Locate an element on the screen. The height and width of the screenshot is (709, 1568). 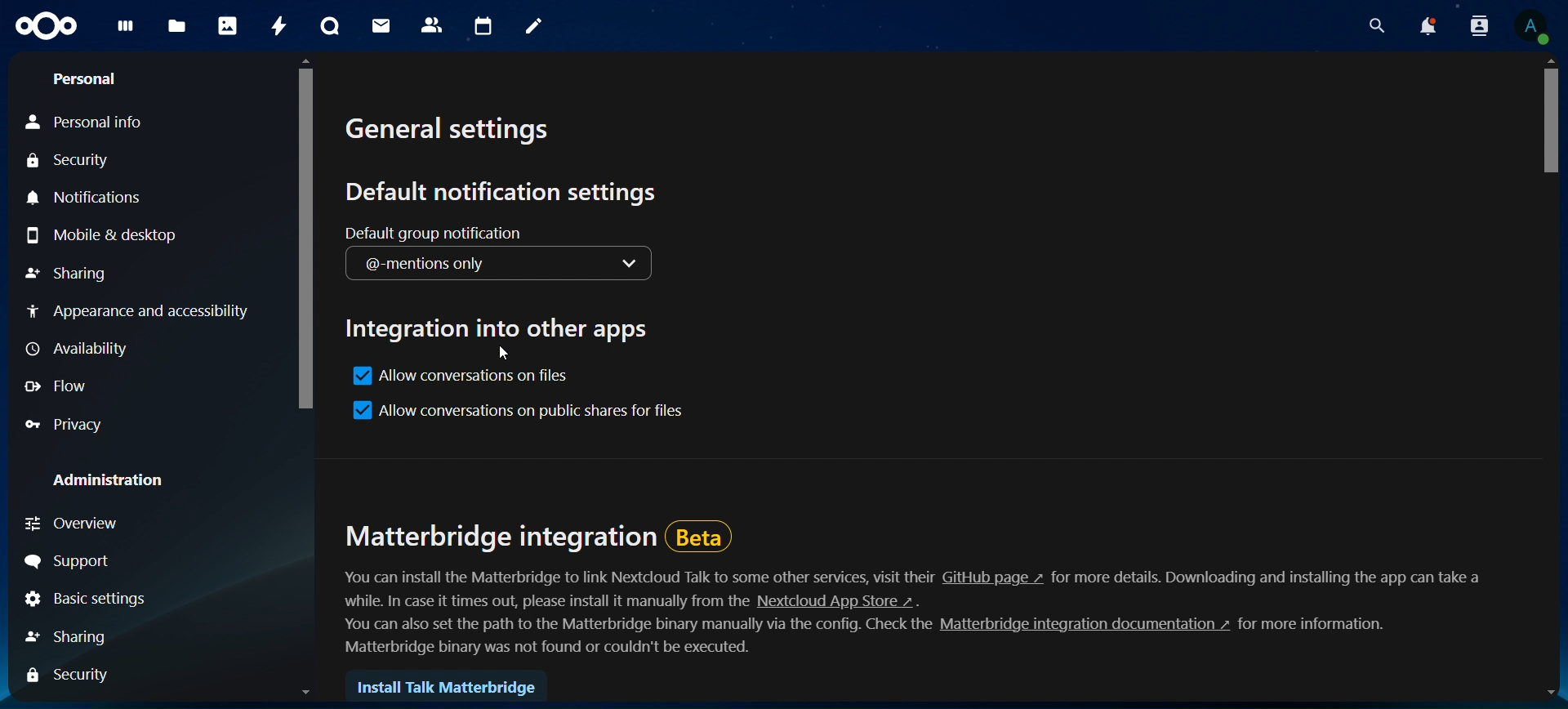
sharing is located at coordinates (75, 636).